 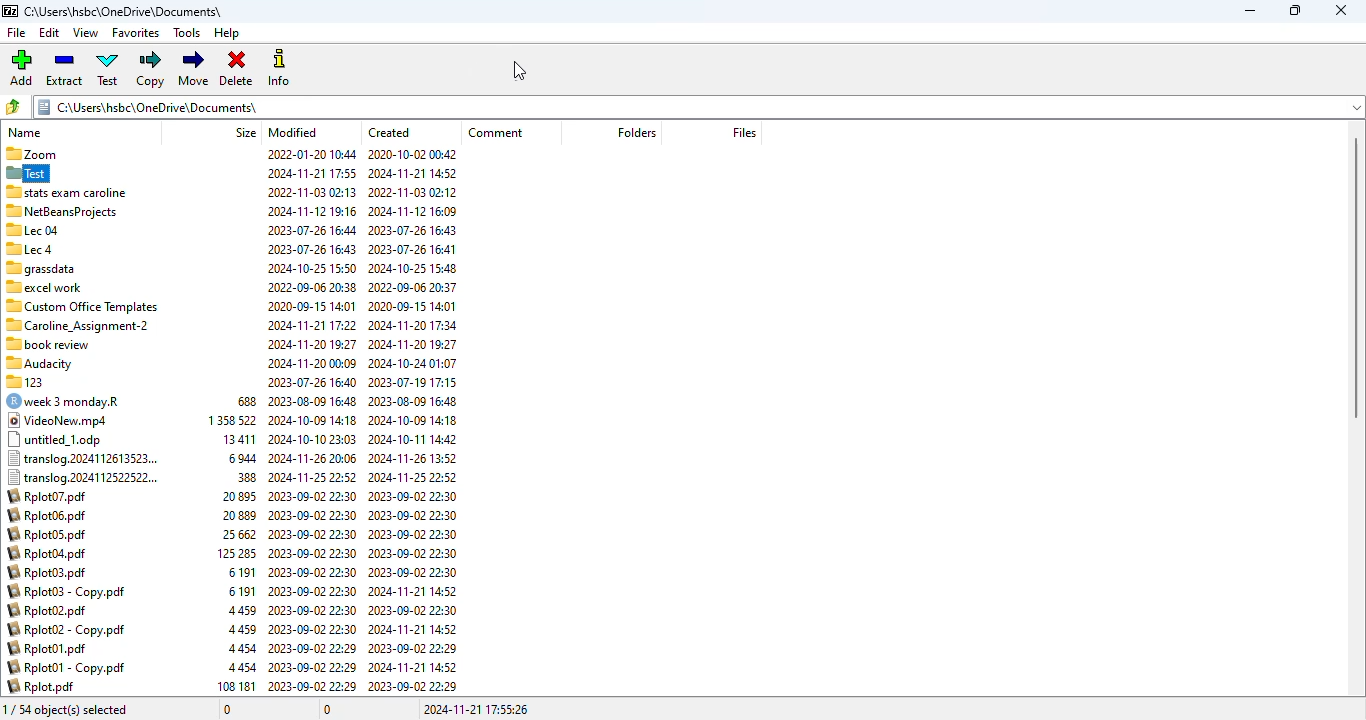 What do you see at coordinates (66, 668) in the screenshot?
I see `Rplot01 - Copy.pdf` at bounding box center [66, 668].